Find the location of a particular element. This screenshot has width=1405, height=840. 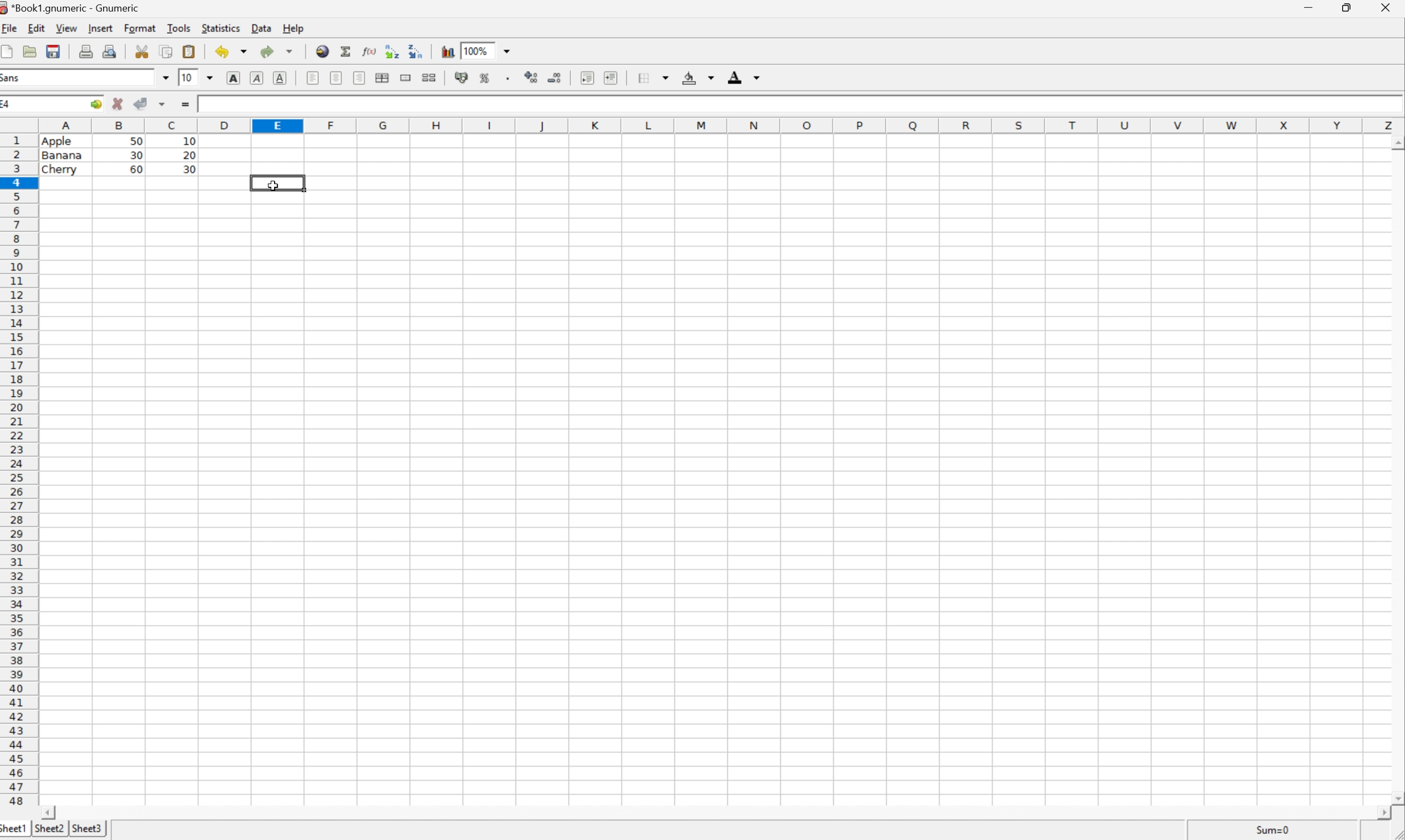

redo is located at coordinates (277, 52).